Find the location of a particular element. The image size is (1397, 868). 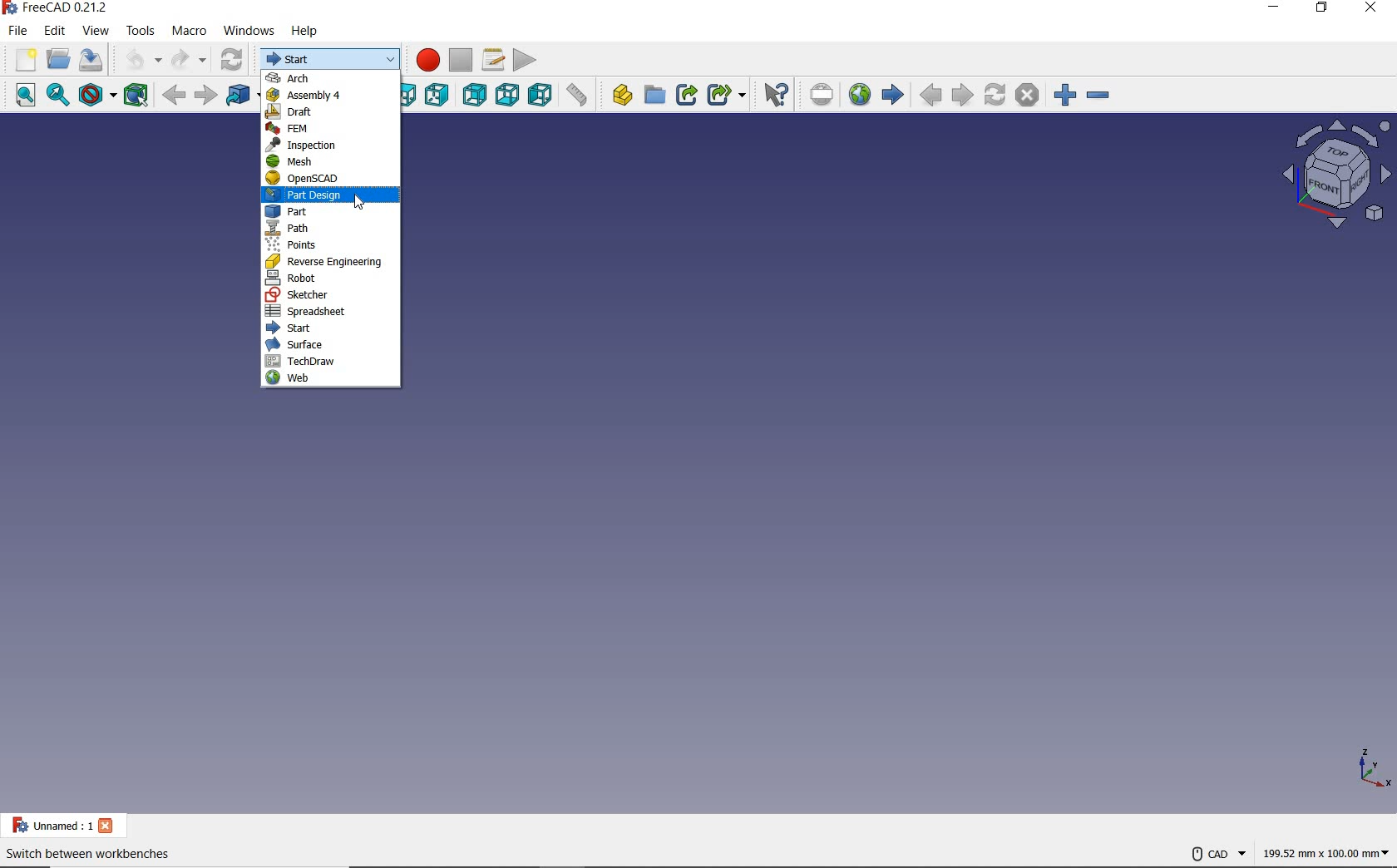

DRAFT is located at coordinates (332, 113).